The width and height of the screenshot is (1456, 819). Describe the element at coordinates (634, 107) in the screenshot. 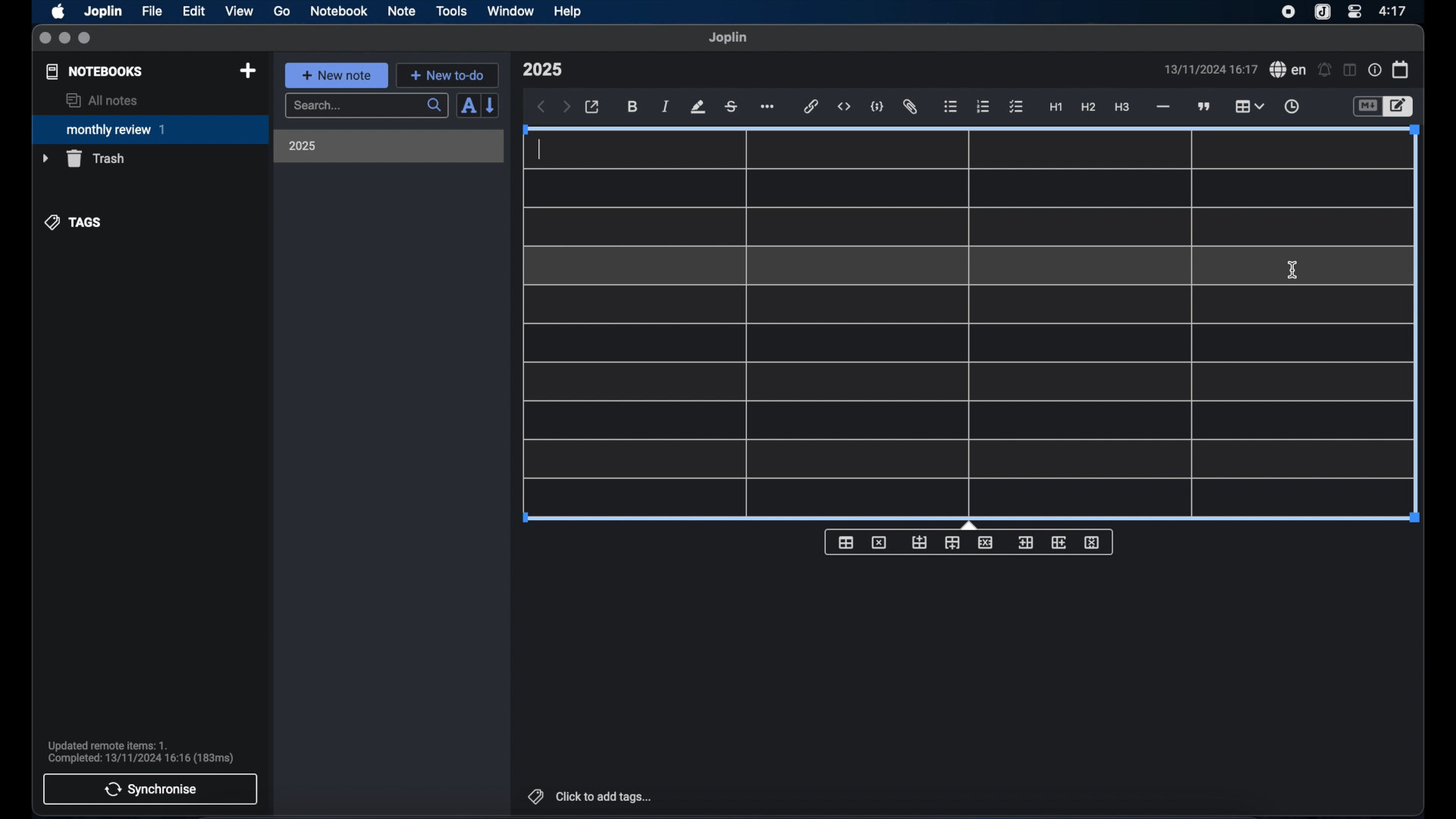

I see `bold` at that location.